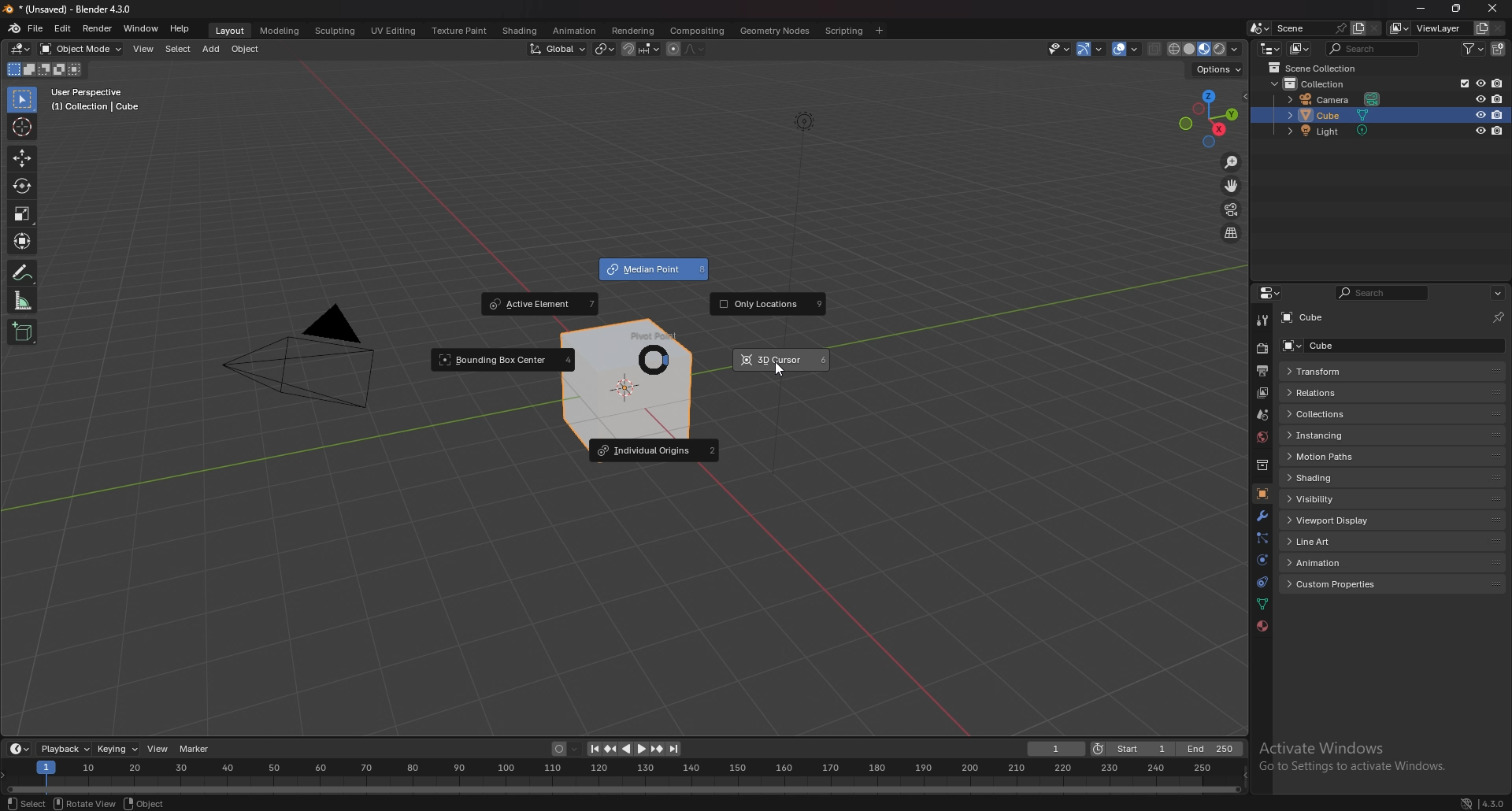 This screenshot has width=1512, height=811. I want to click on uv editing, so click(394, 31).